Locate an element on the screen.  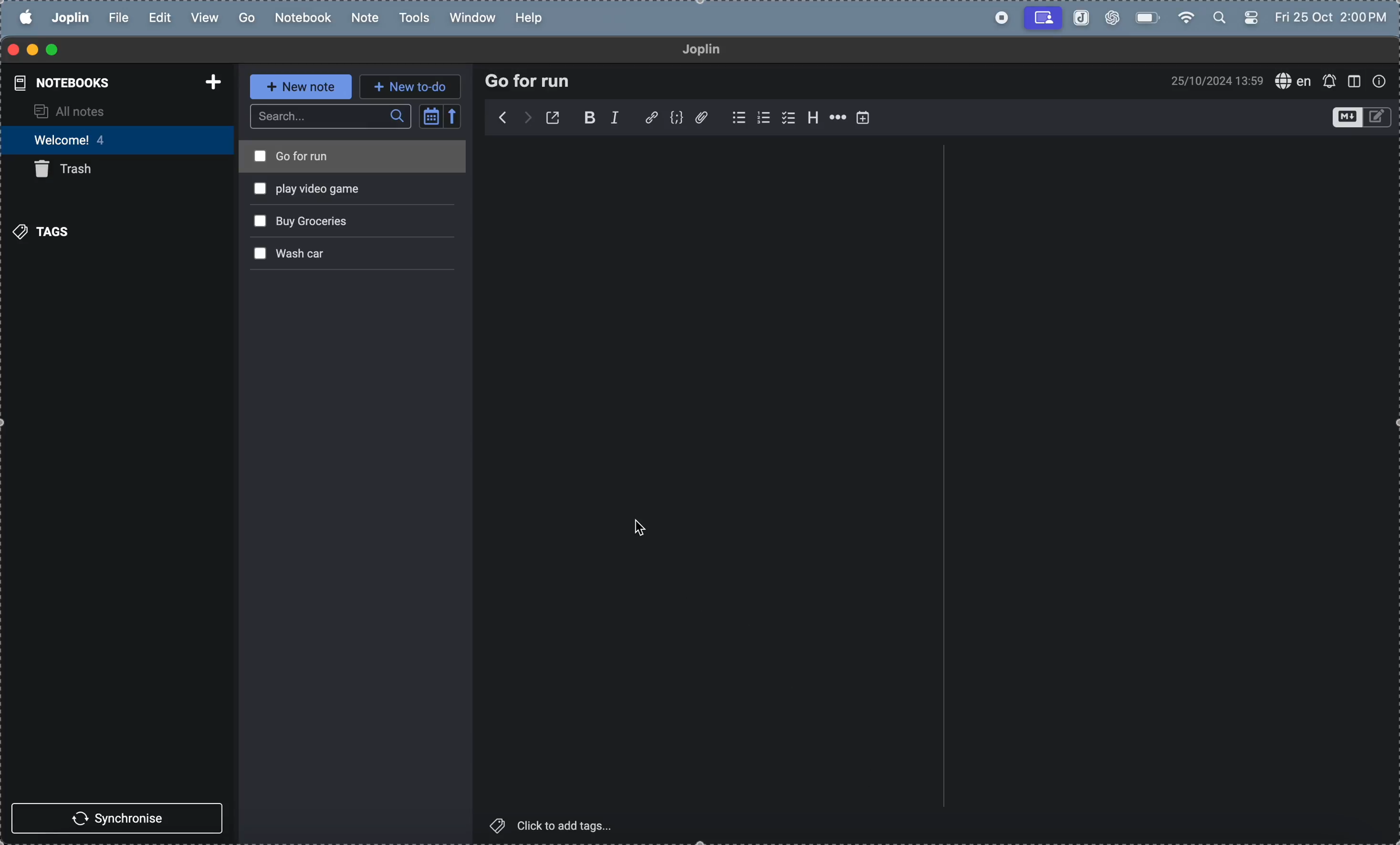
Cursor  is located at coordinates (640, 529).